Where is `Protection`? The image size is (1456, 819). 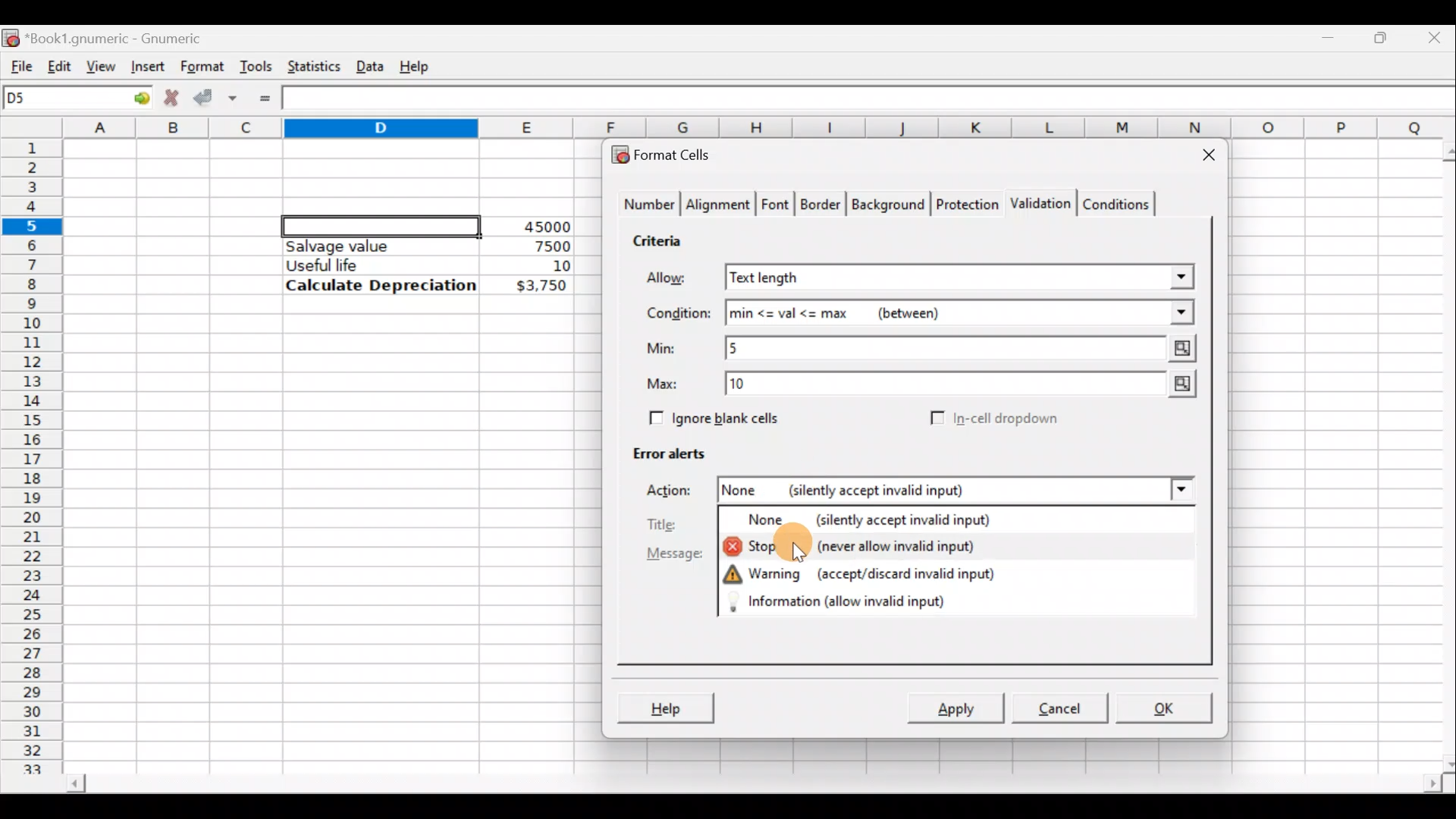 Protection is located at coordinates (964, 206).